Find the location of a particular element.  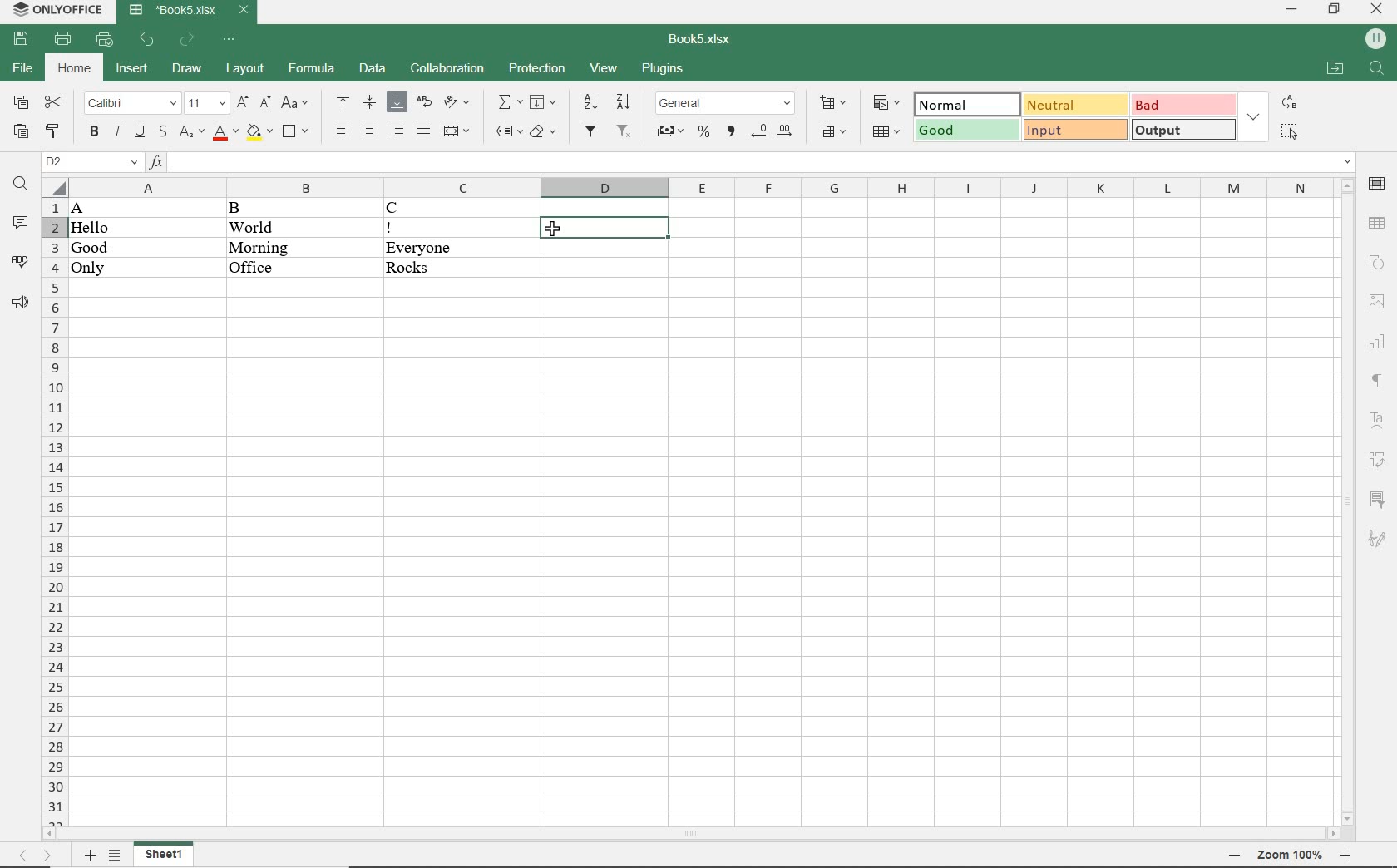

feedback & support is located at coordinates (21, 304).